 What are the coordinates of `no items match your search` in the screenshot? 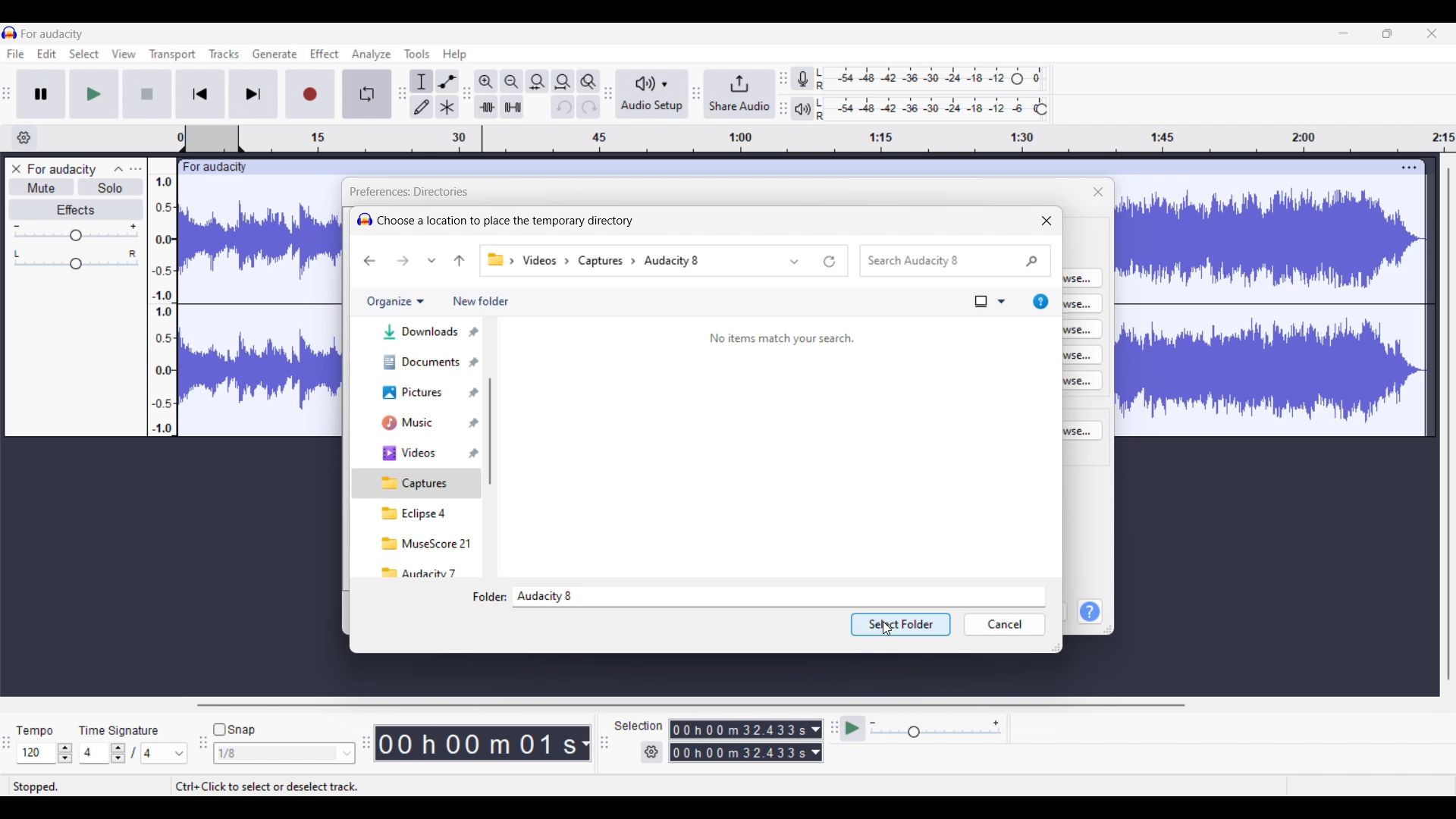 It's located at (783, 338).